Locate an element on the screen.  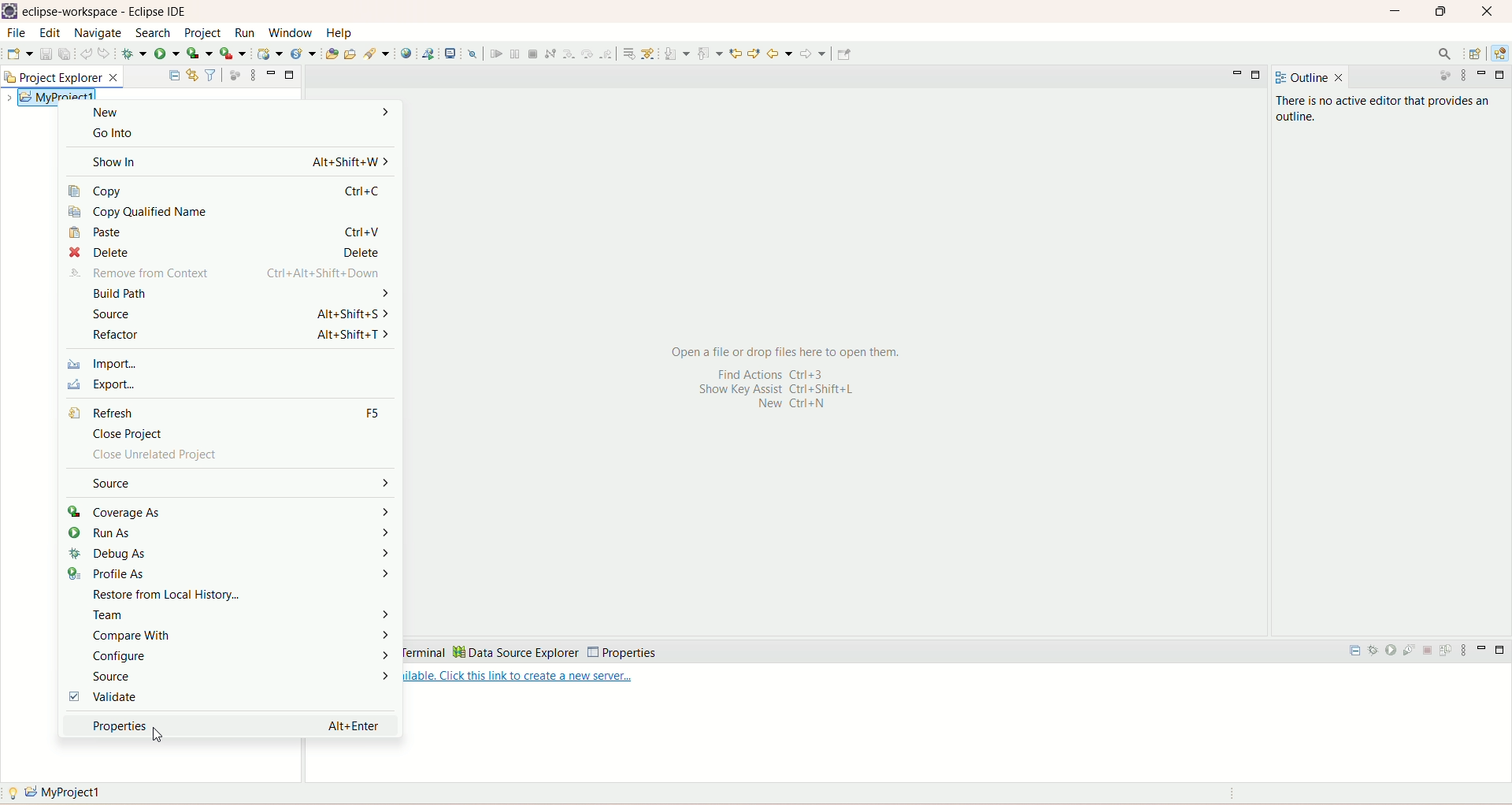
search is located at coordinates (379, 54).